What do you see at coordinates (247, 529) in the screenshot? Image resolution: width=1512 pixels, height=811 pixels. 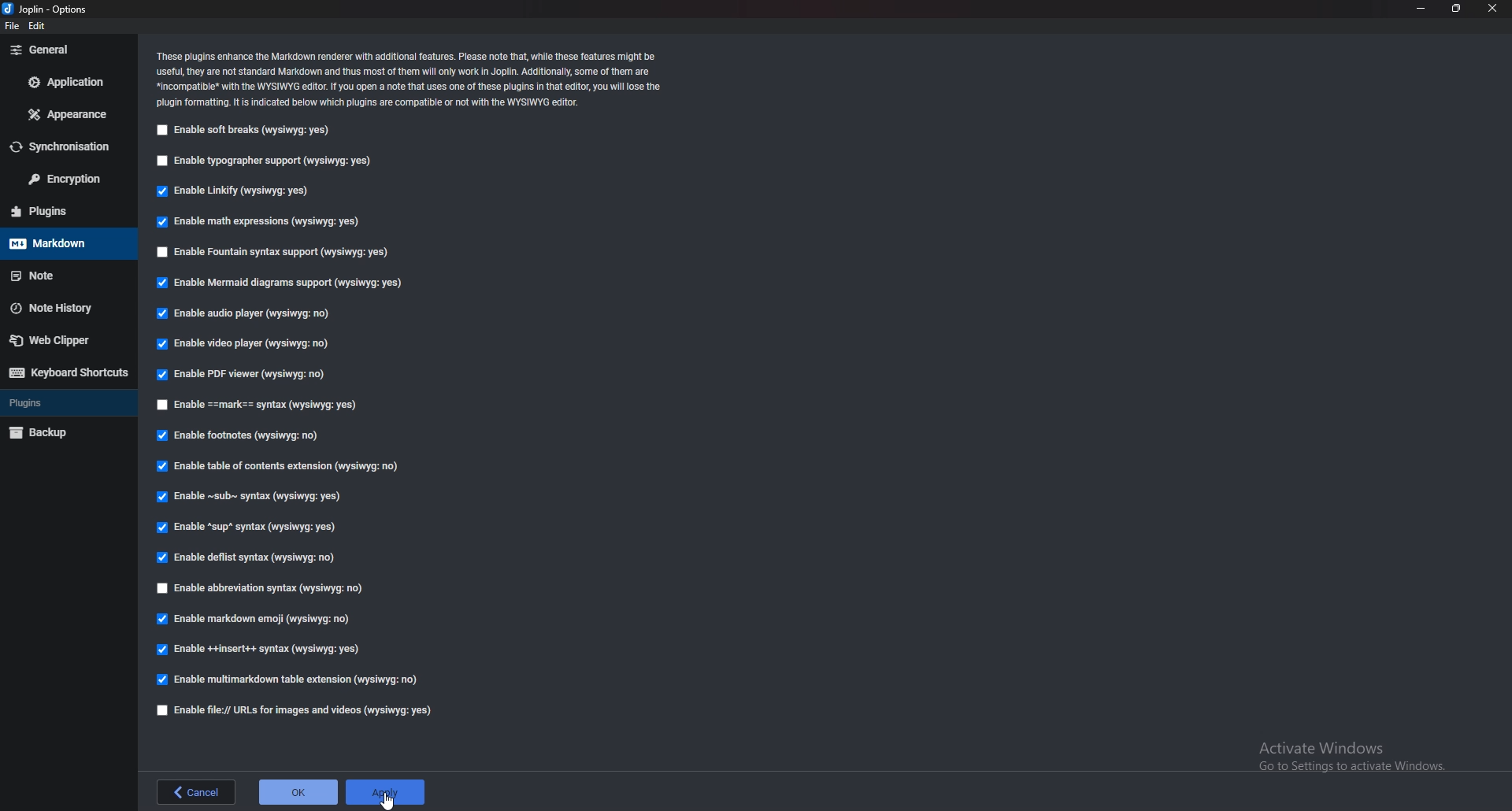 I see `enable sup syntax` at bounding box center [247, 529].